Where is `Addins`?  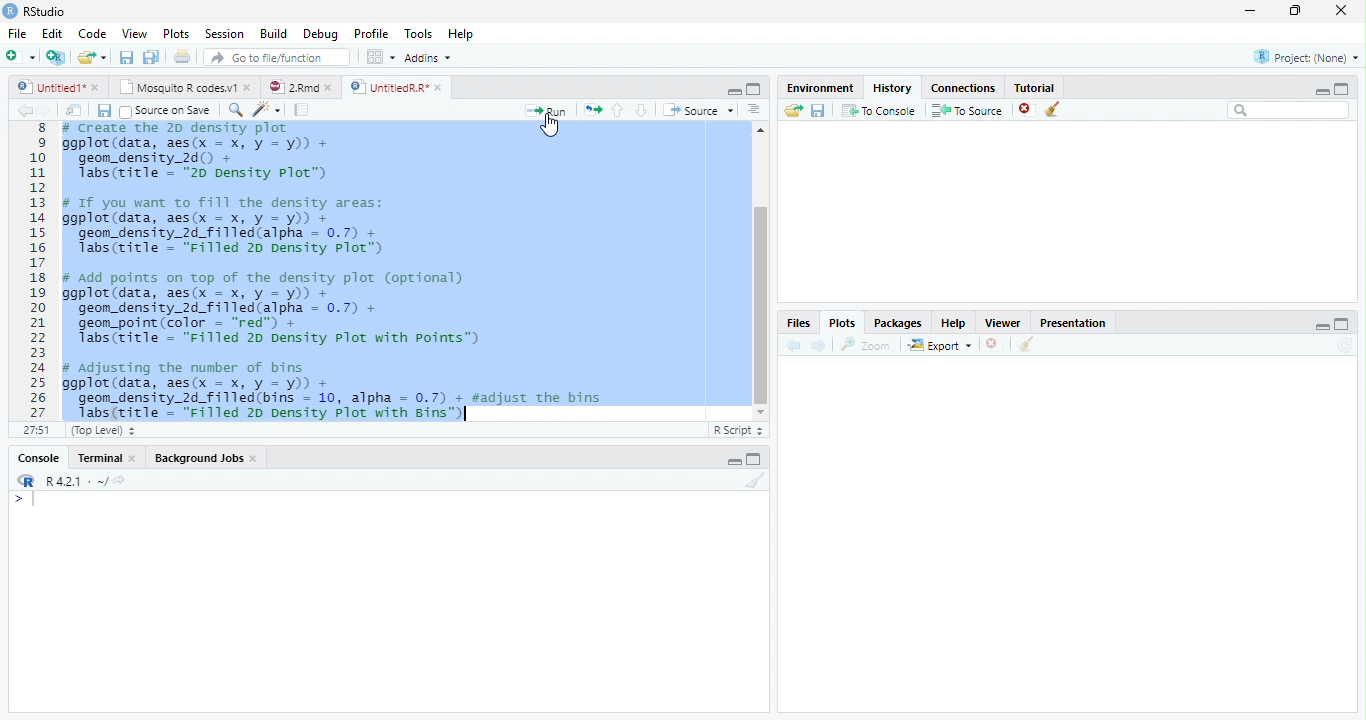
Addins is located at coordinates (427, 57).